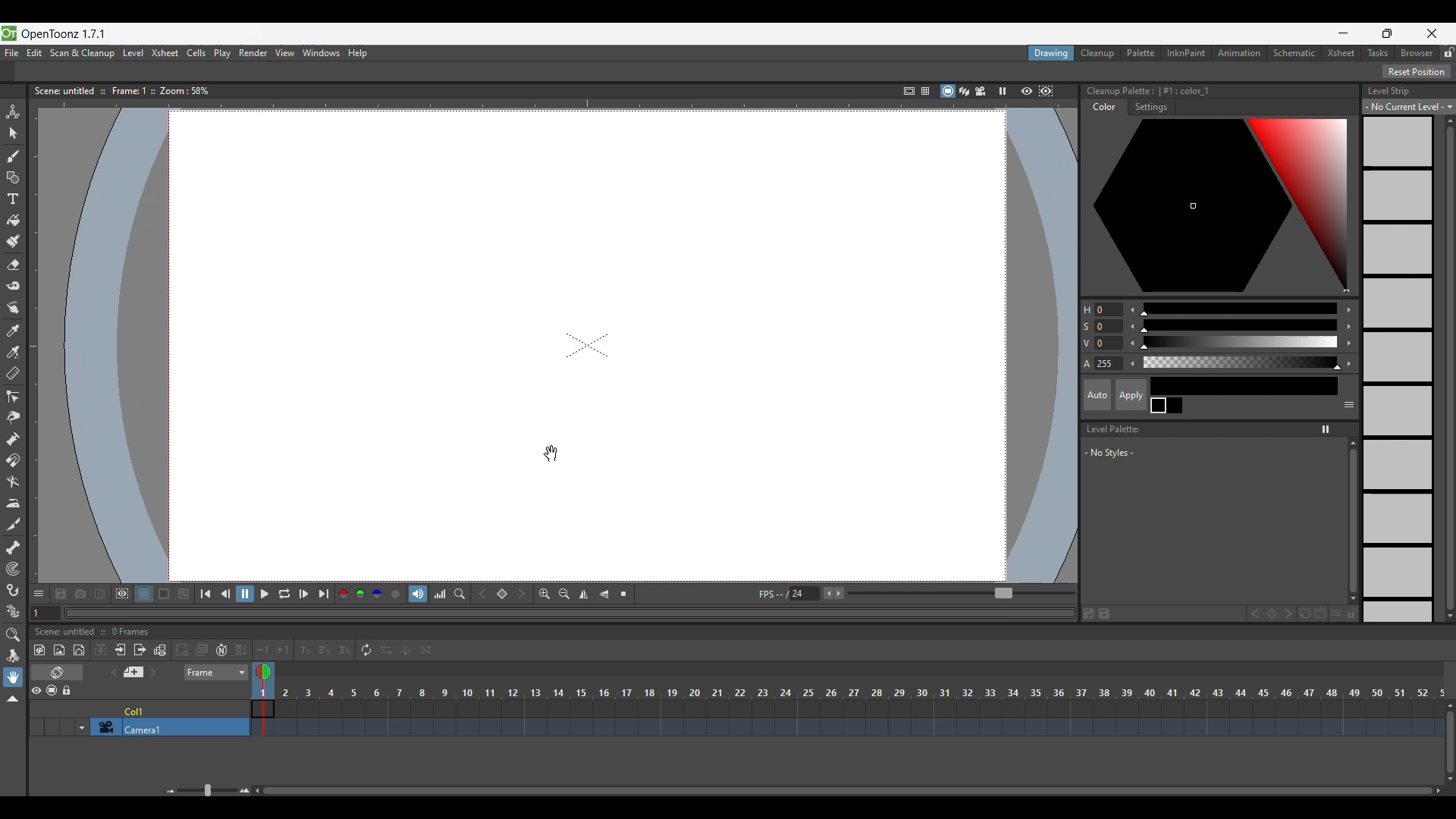 The width and height of the screenshot is (1456, 819). What do you see at coordinates (325, 594) in the screenshot?
I see `Last frame` at bounding box center [325, 594].